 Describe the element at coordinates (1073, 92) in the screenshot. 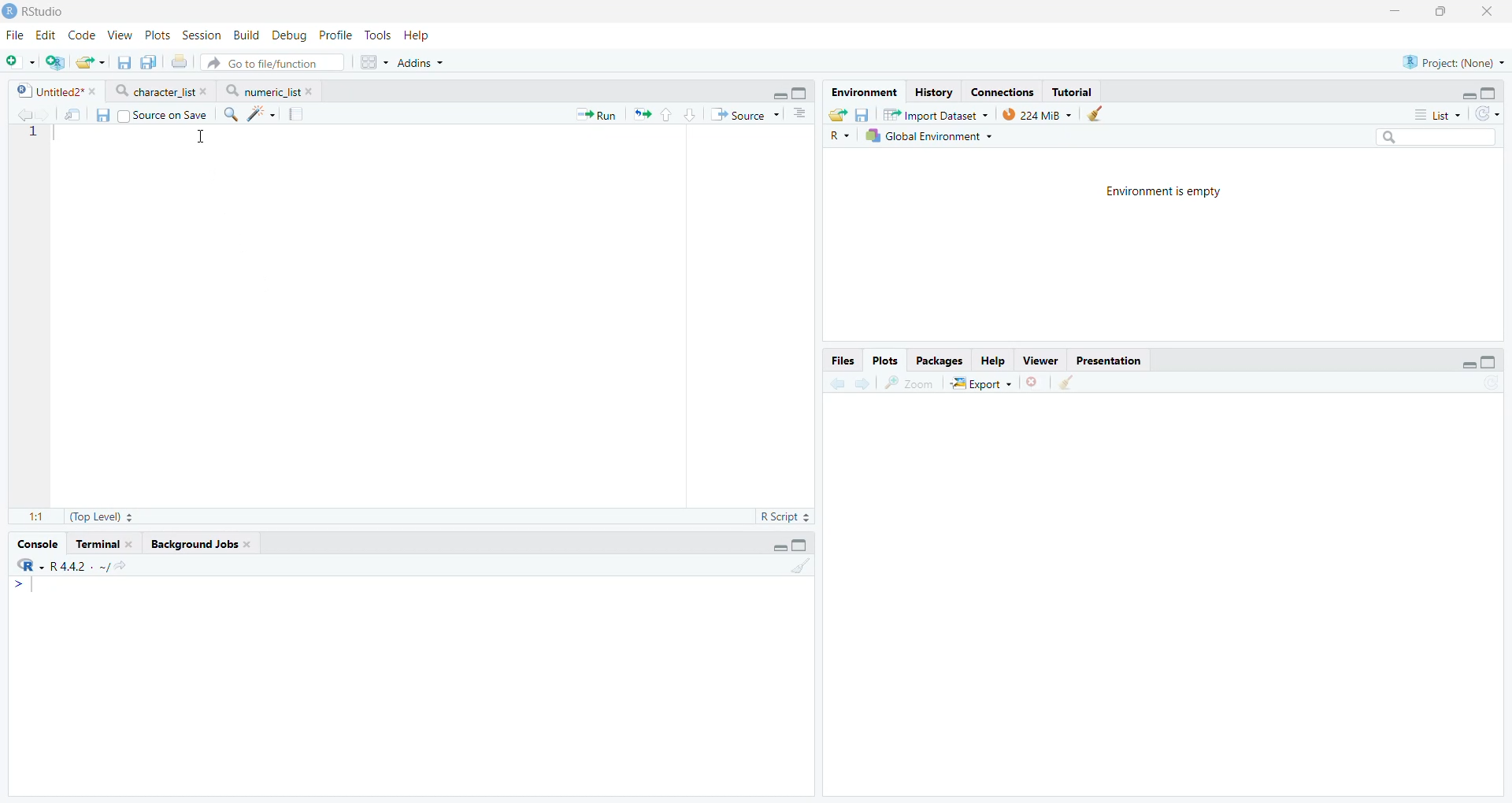

I see `Tutorial` at that location.